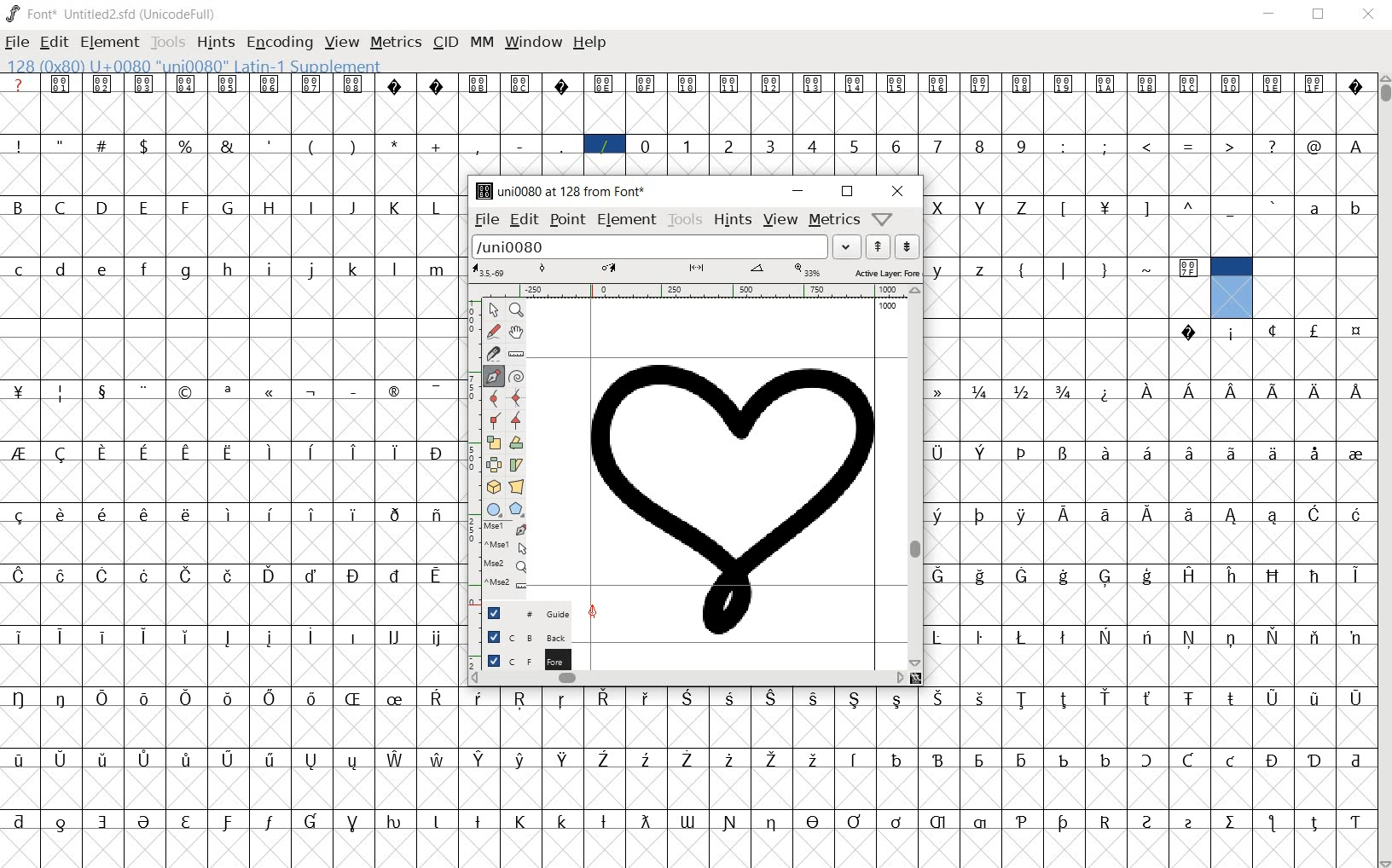 Image resolution: width=1392 pixels, height=868 pixels. I want to click on glyph, so click(1147, 84).